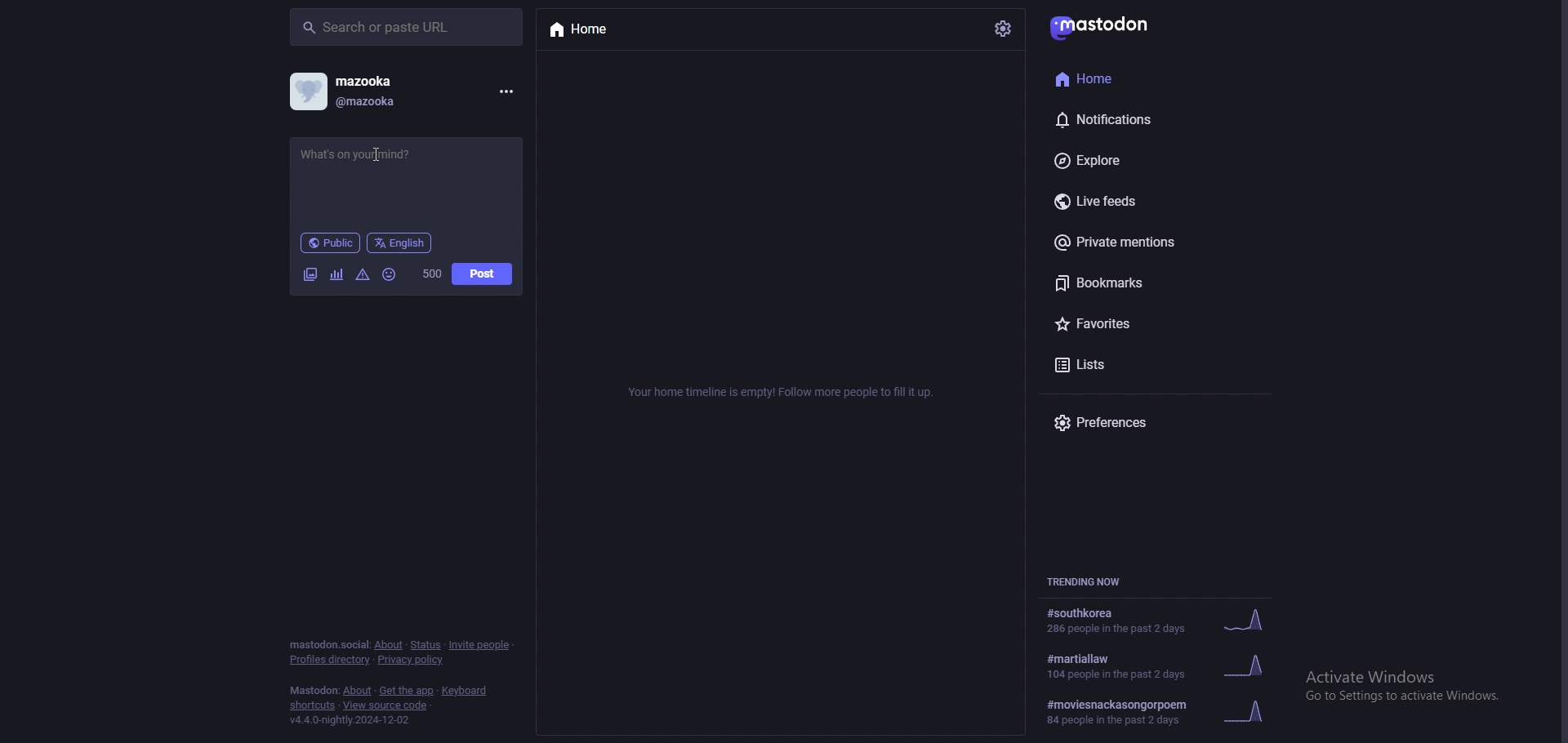  Describe the element at coordinates (337, 275) in the screenshot. I see `polls` at that location.